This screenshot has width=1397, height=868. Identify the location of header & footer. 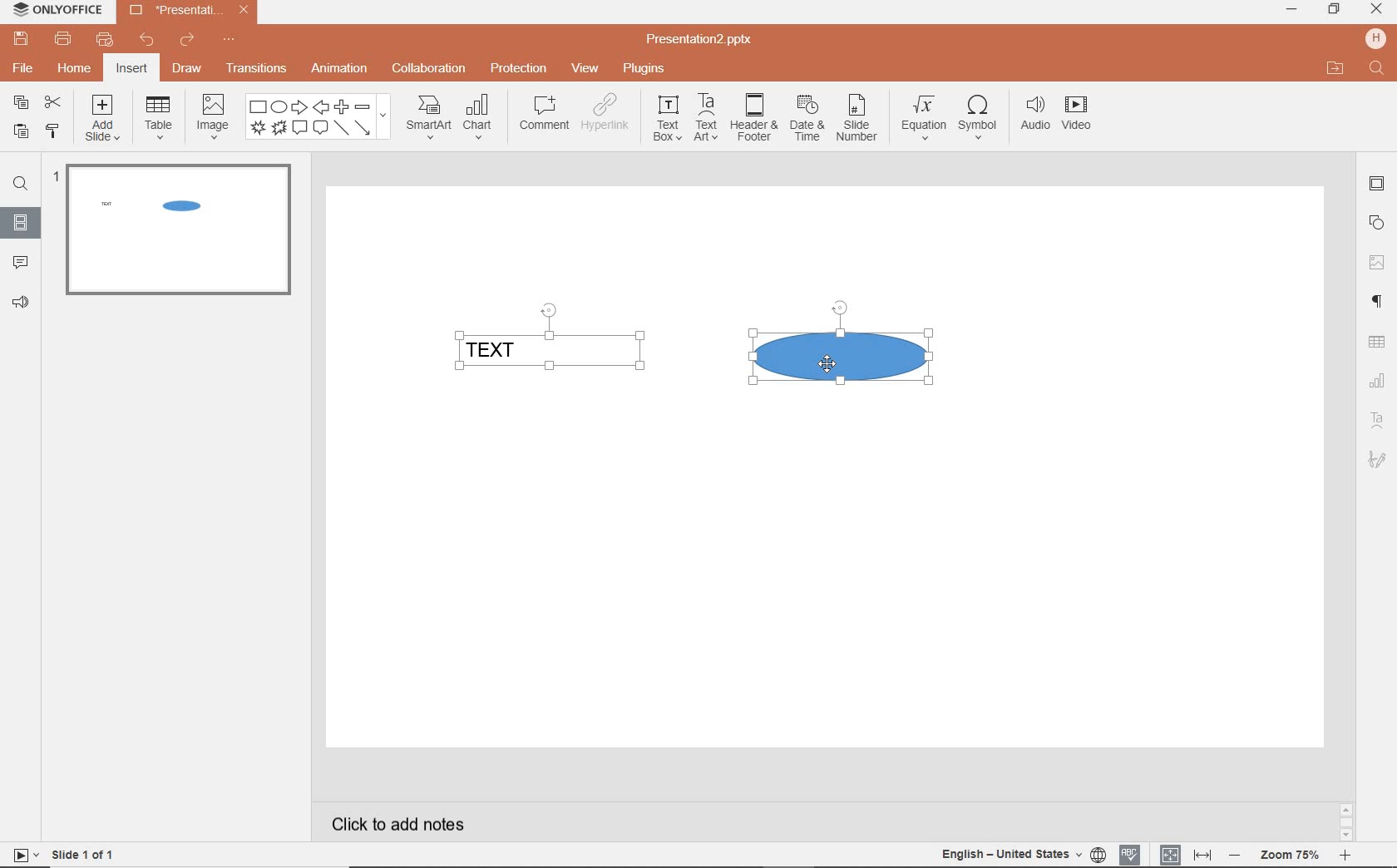
(752, 119).